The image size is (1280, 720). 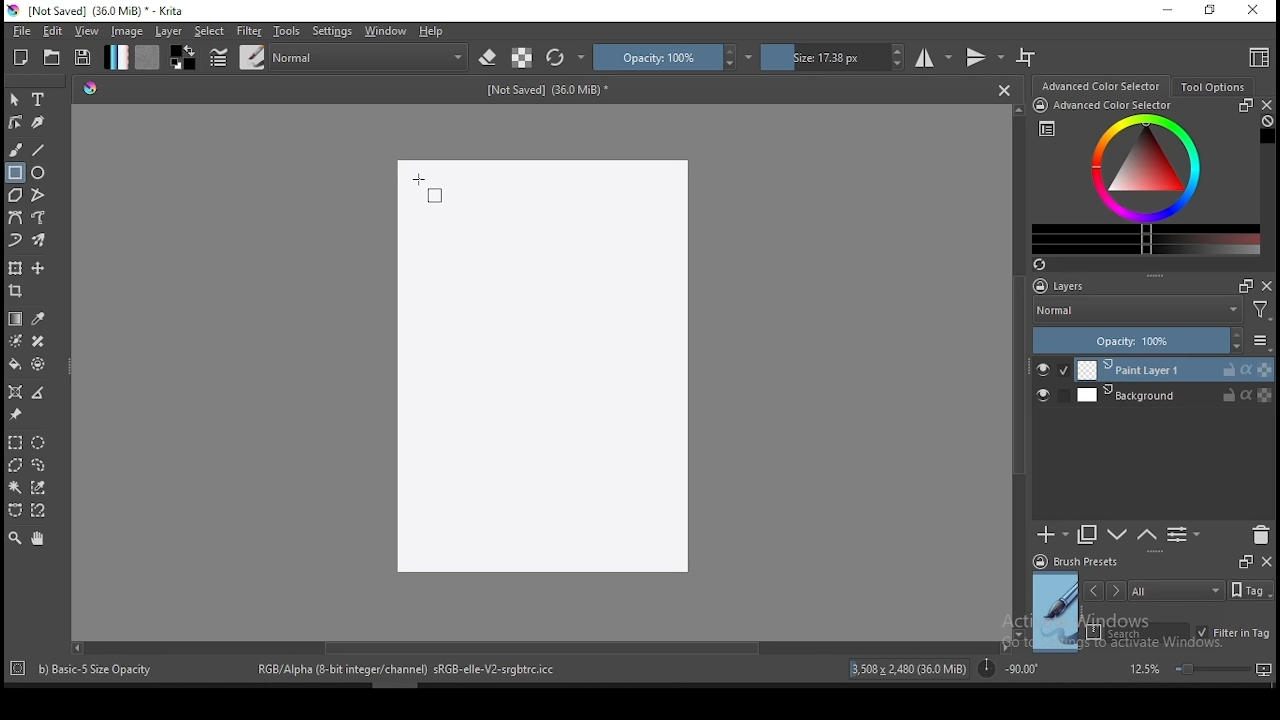 What do you see at coordinates (38, 193) in the screenshot?
I see `polyline tool` at bounding box center [38, 193].